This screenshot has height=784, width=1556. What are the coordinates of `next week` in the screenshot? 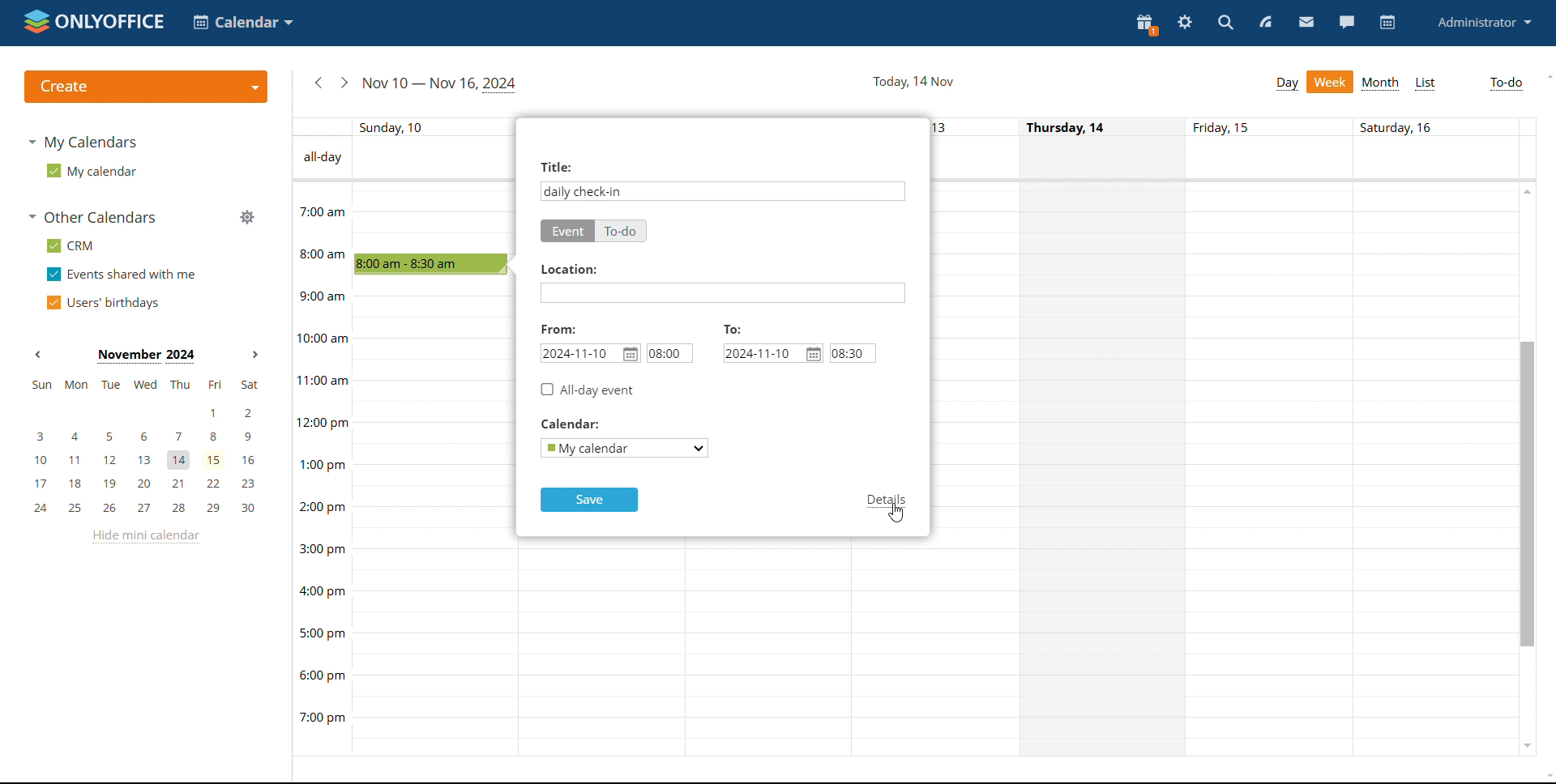 It's located at (342, 83).